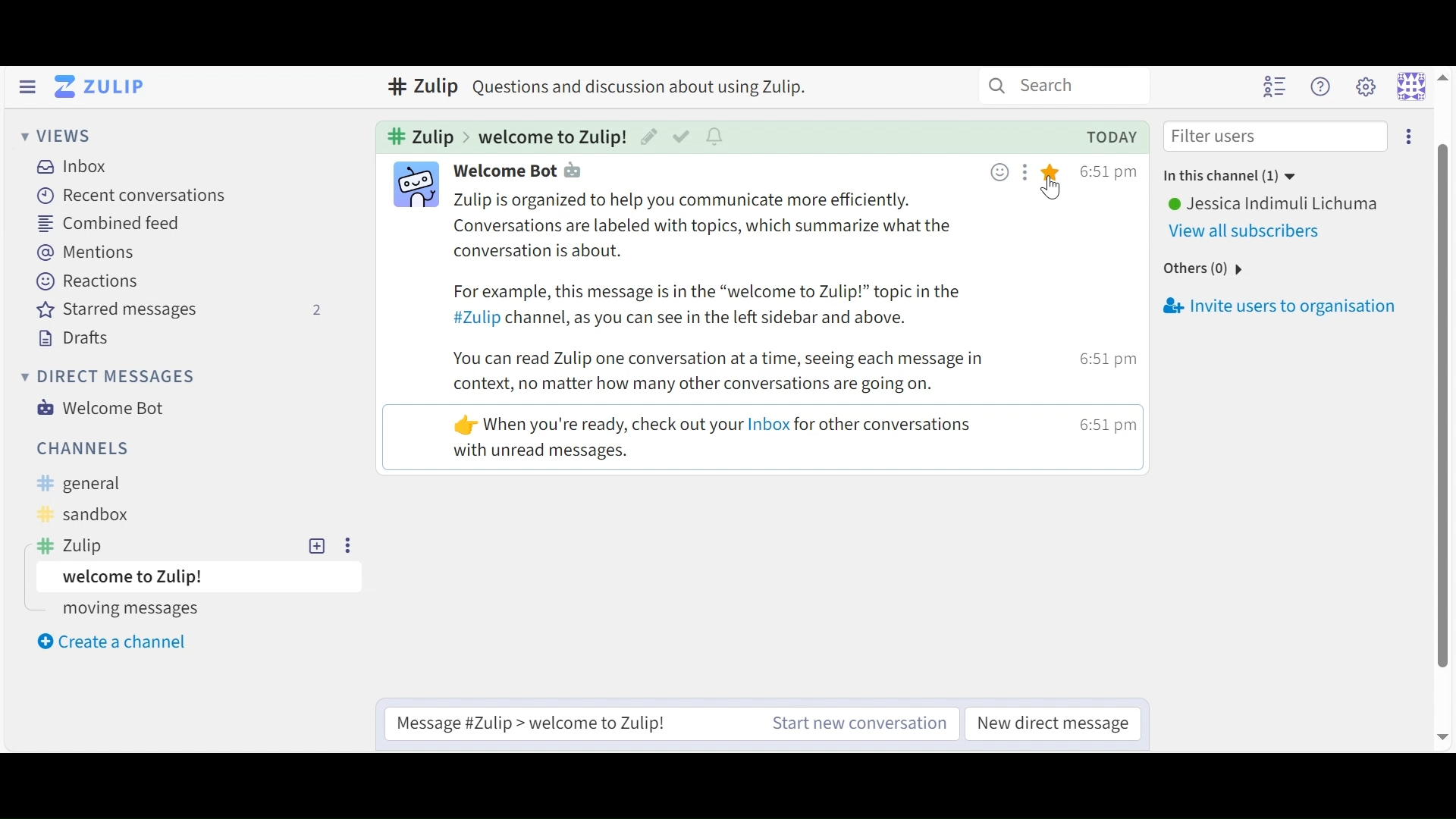 The width and height of the screenshot is (1456, 819). Describe the element at coordinates (79, 253) in the screenshot. I see `Mentions` at that location.